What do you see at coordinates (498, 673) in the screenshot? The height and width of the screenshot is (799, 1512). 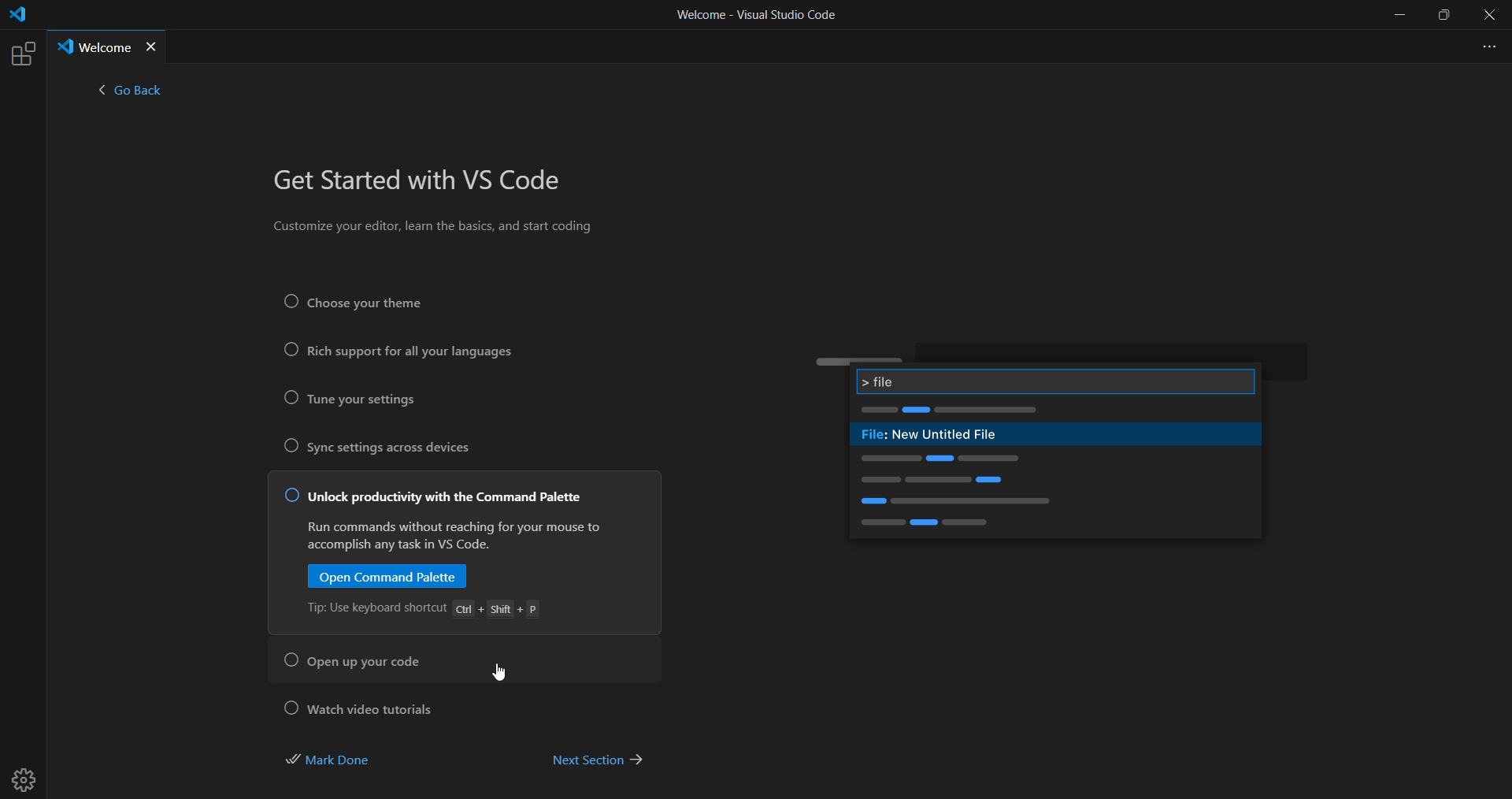 I see `cursor` at bounding box center [498, 673].